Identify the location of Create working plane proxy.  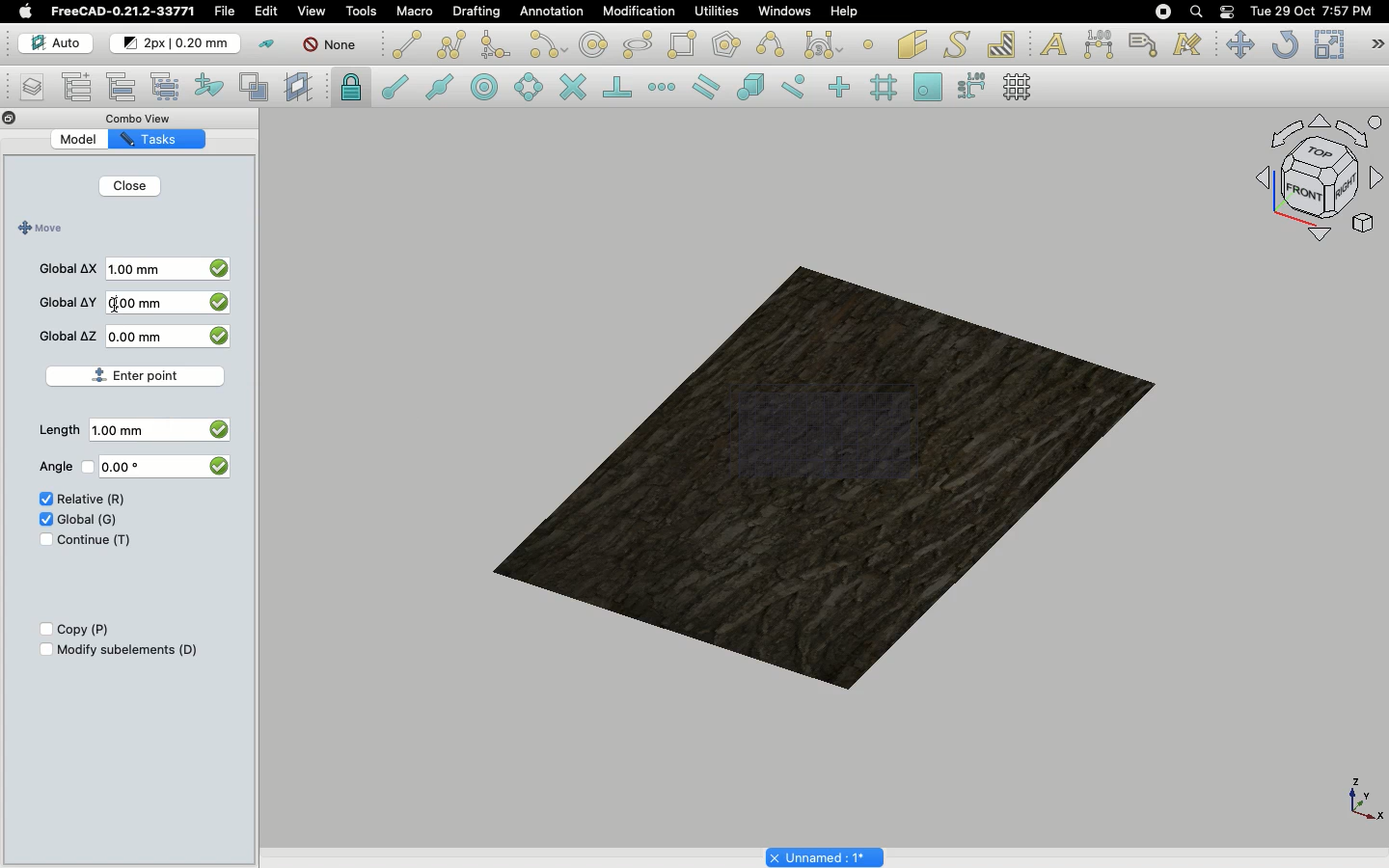
(258, 88).